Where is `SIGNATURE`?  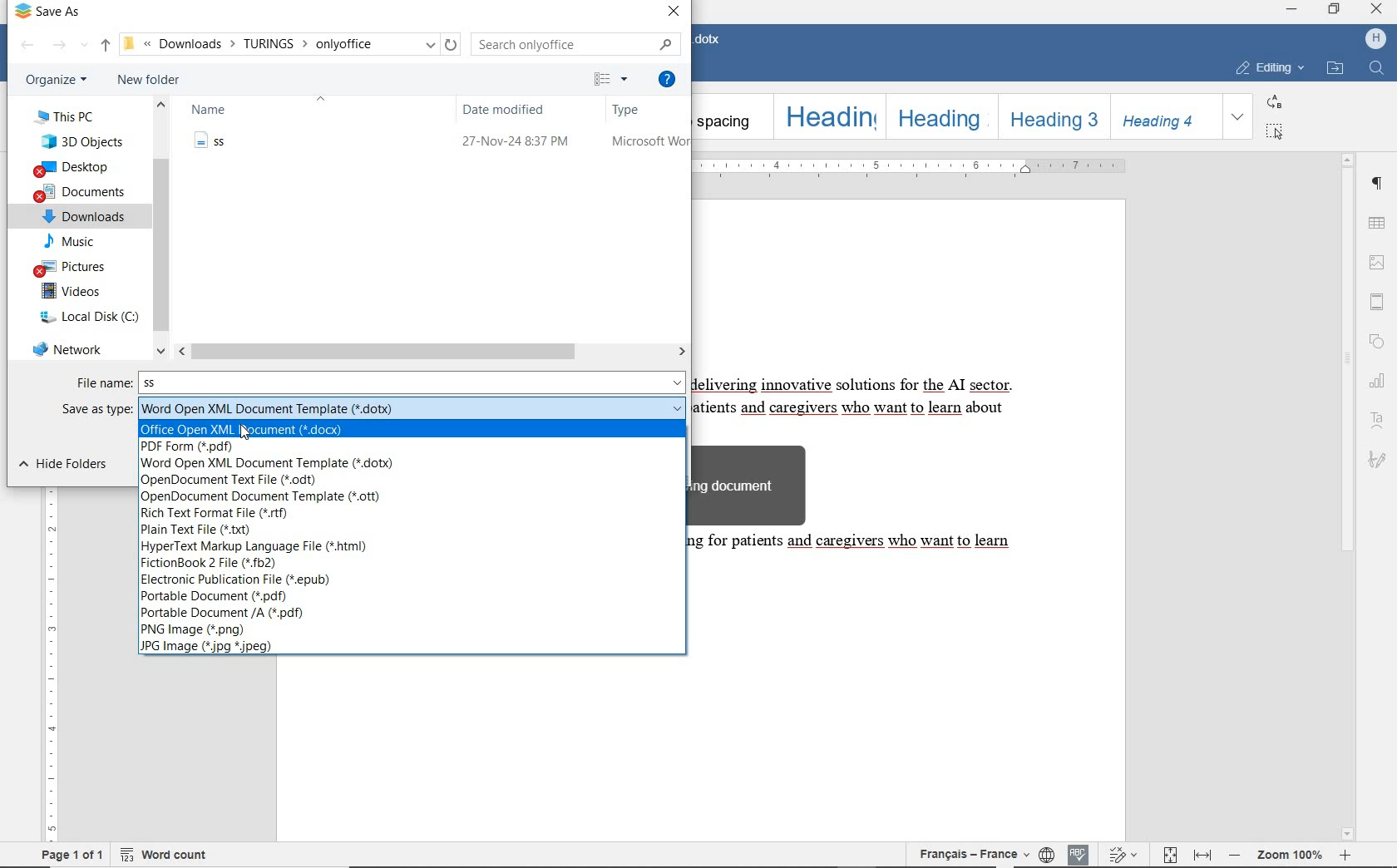 SIGNATURE is located at coordinates (1379, 460).